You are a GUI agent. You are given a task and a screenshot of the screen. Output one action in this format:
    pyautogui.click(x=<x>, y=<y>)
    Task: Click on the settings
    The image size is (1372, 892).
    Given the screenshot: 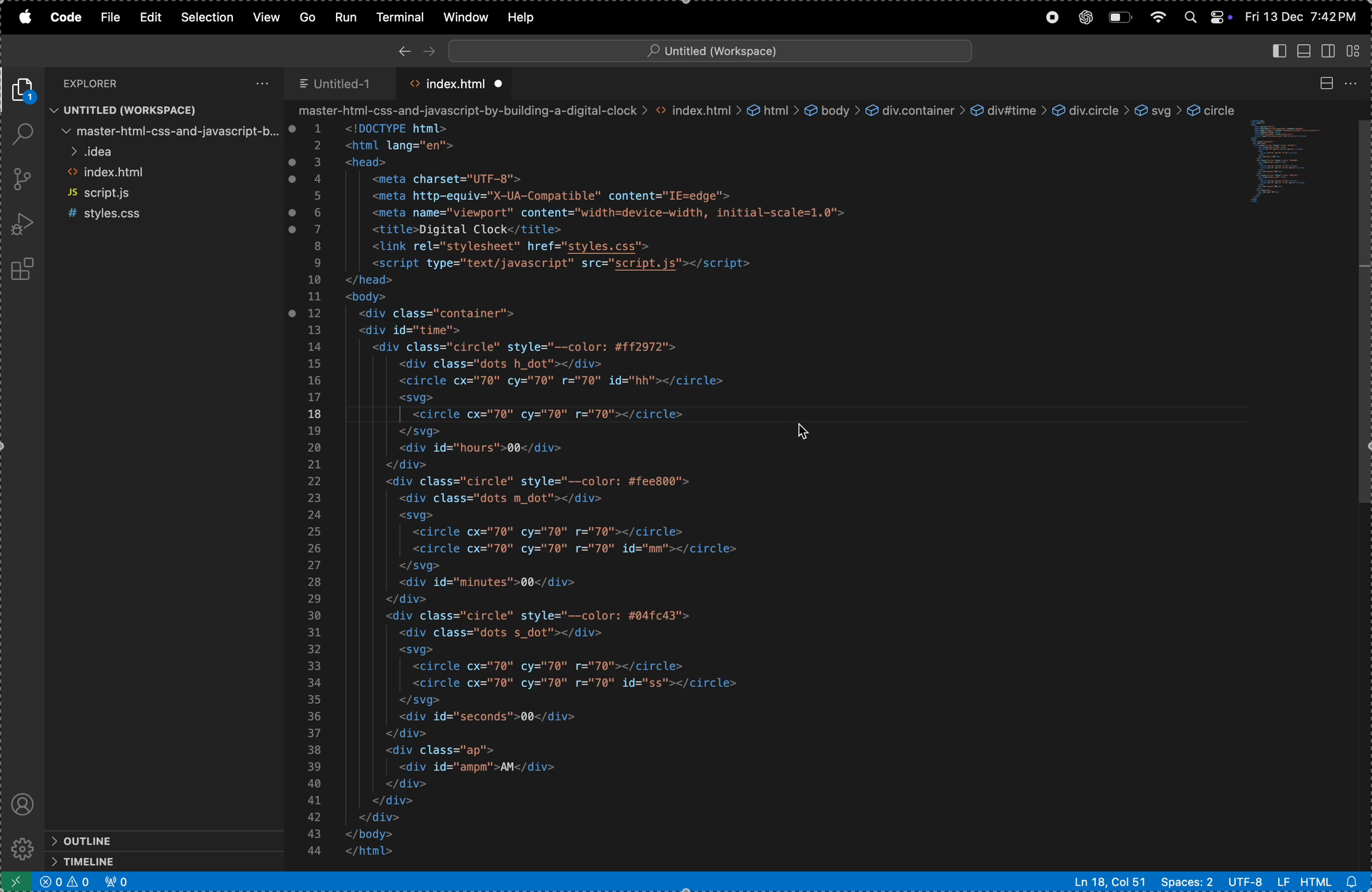 What is the action you would take?
    pyautogui.click(x=21, y=849)
    